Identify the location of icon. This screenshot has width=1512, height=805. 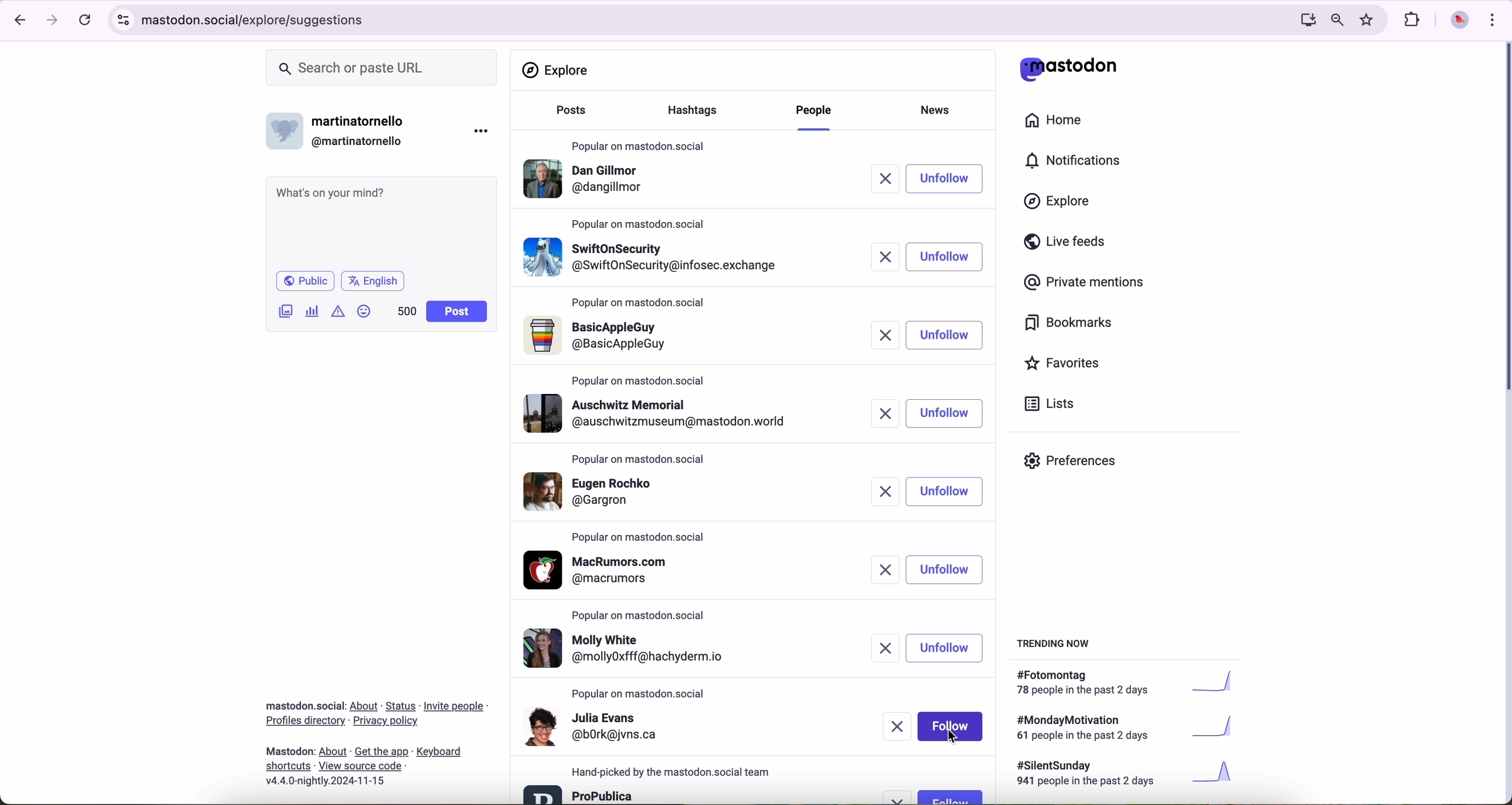
(339, 311).